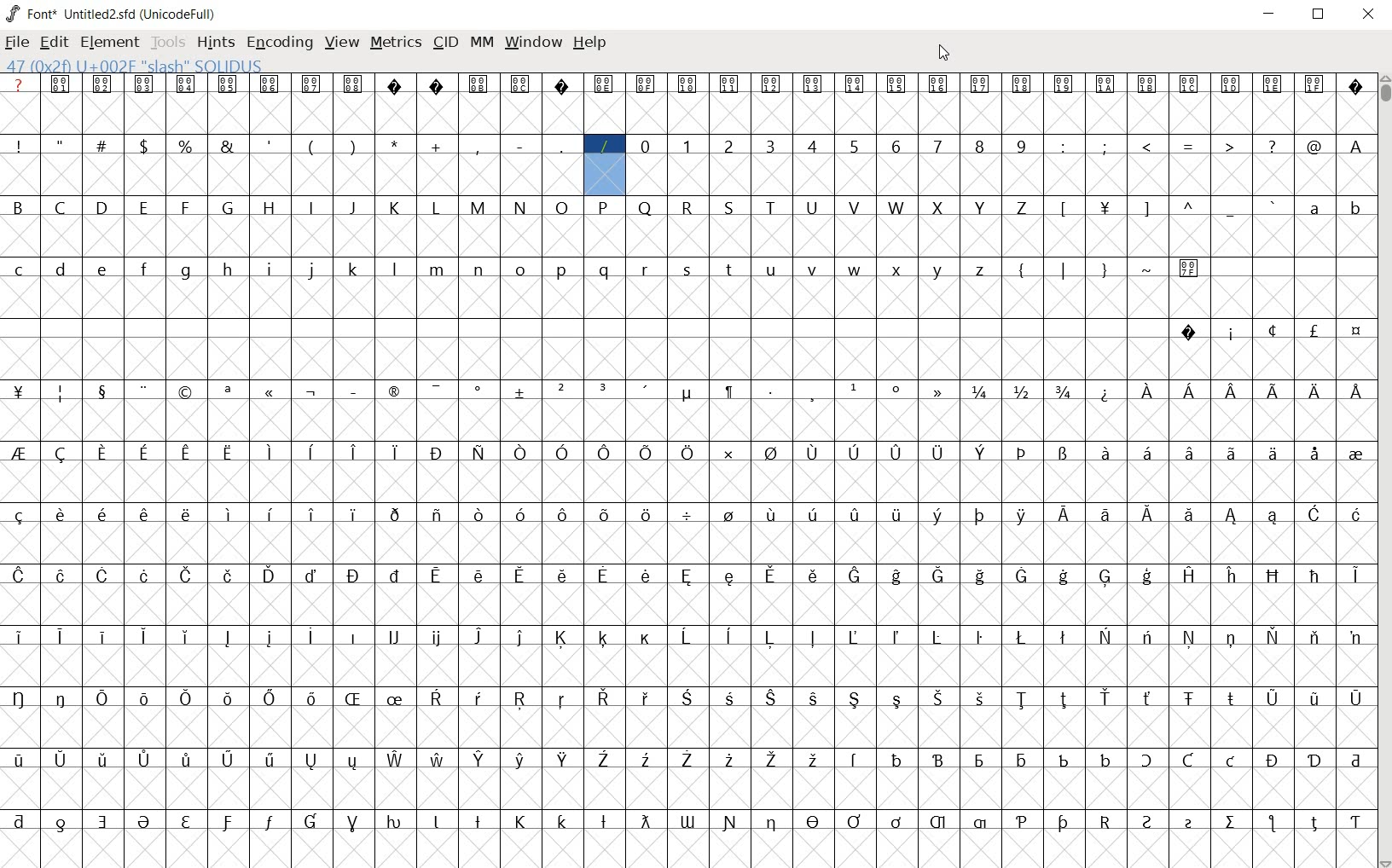 This screenshot has height=868, width=1392. Describe the element at coordinates (187, 637) in the screenshot. I see `glyph` at that location.